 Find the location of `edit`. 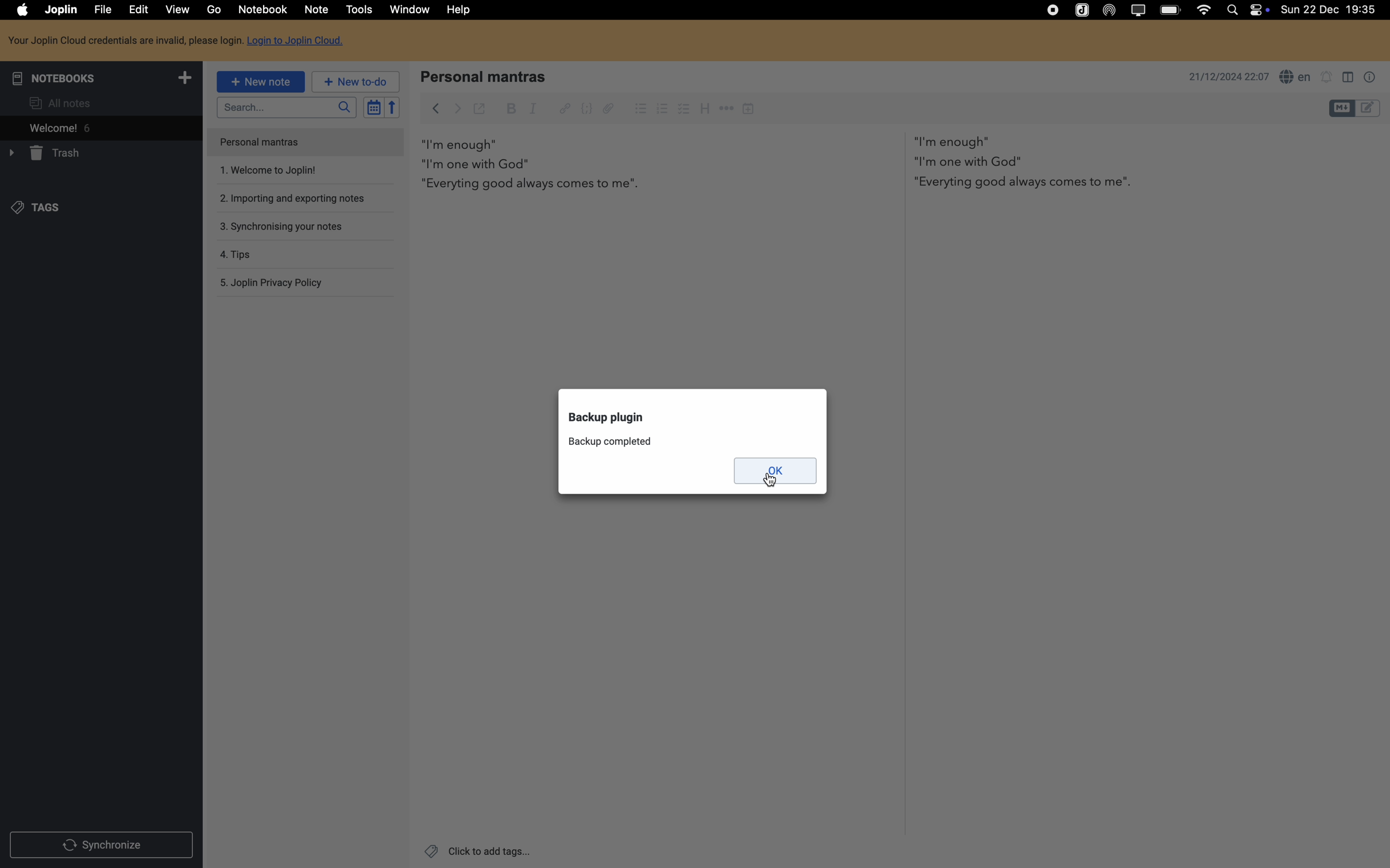

edit is located at coordinates (138, 9).